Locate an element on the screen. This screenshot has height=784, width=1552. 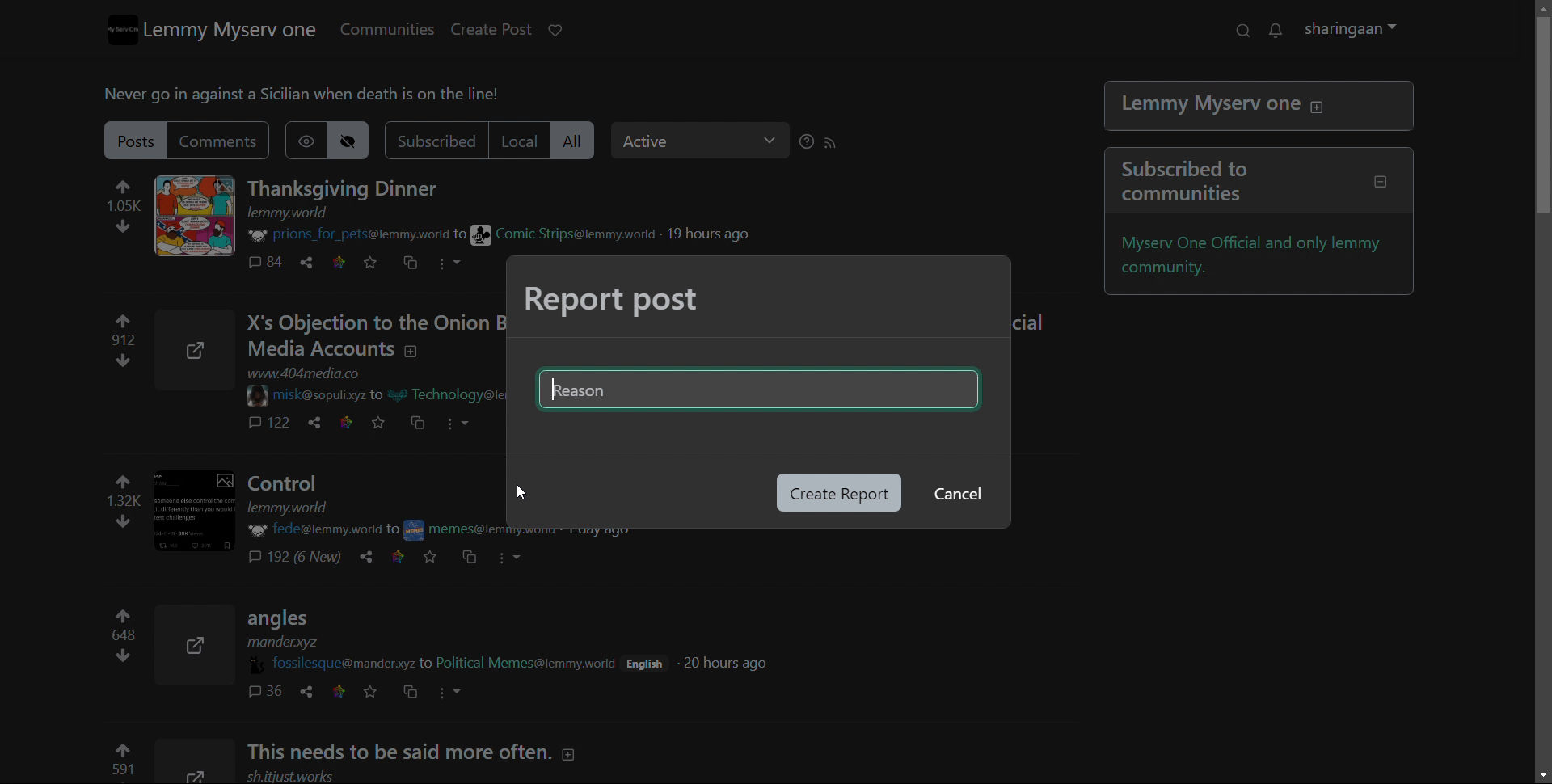
community is located at coordinates (570, 234).